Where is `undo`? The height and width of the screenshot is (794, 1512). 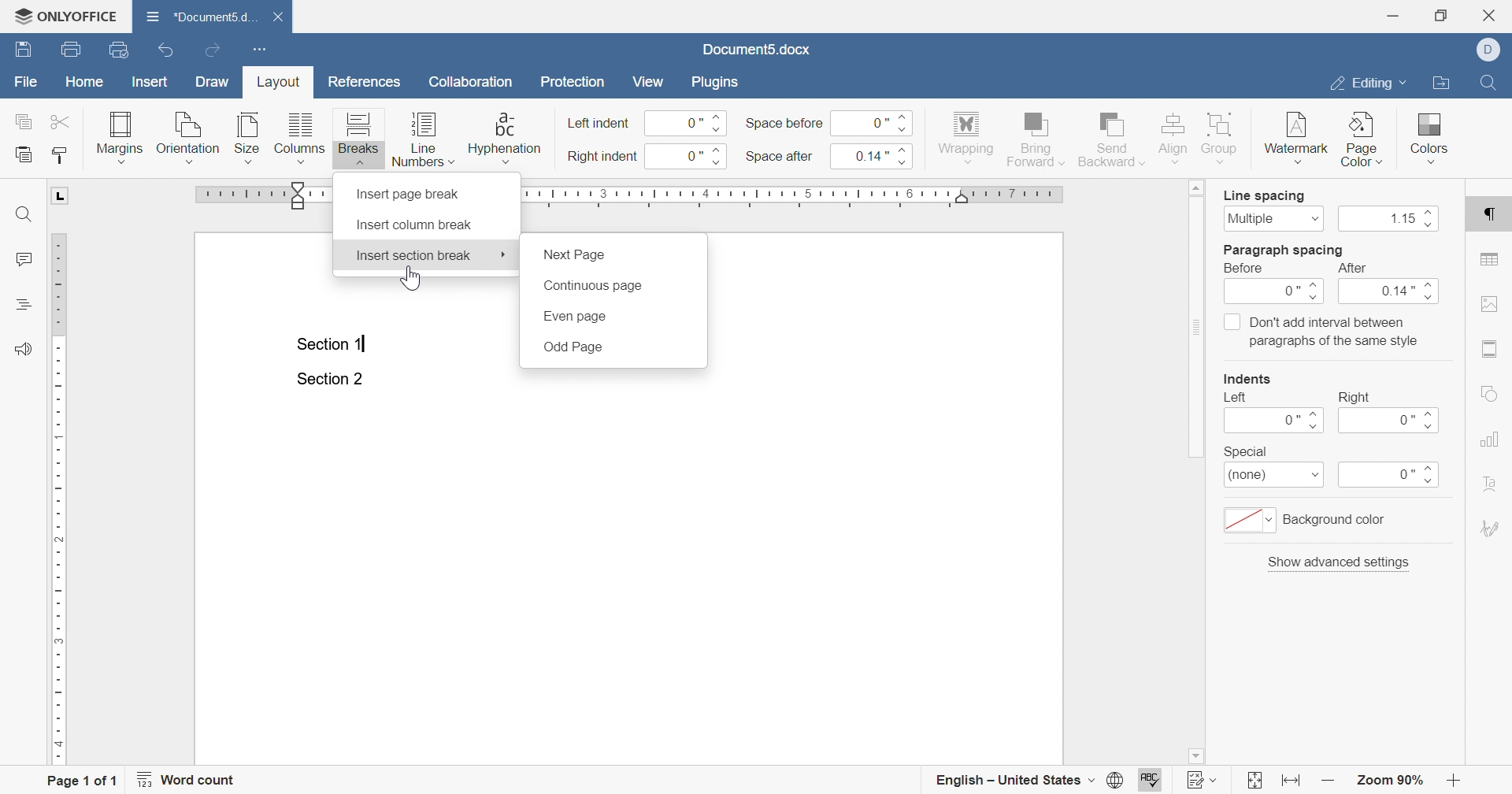 undo is located at coordinates (165, 50).